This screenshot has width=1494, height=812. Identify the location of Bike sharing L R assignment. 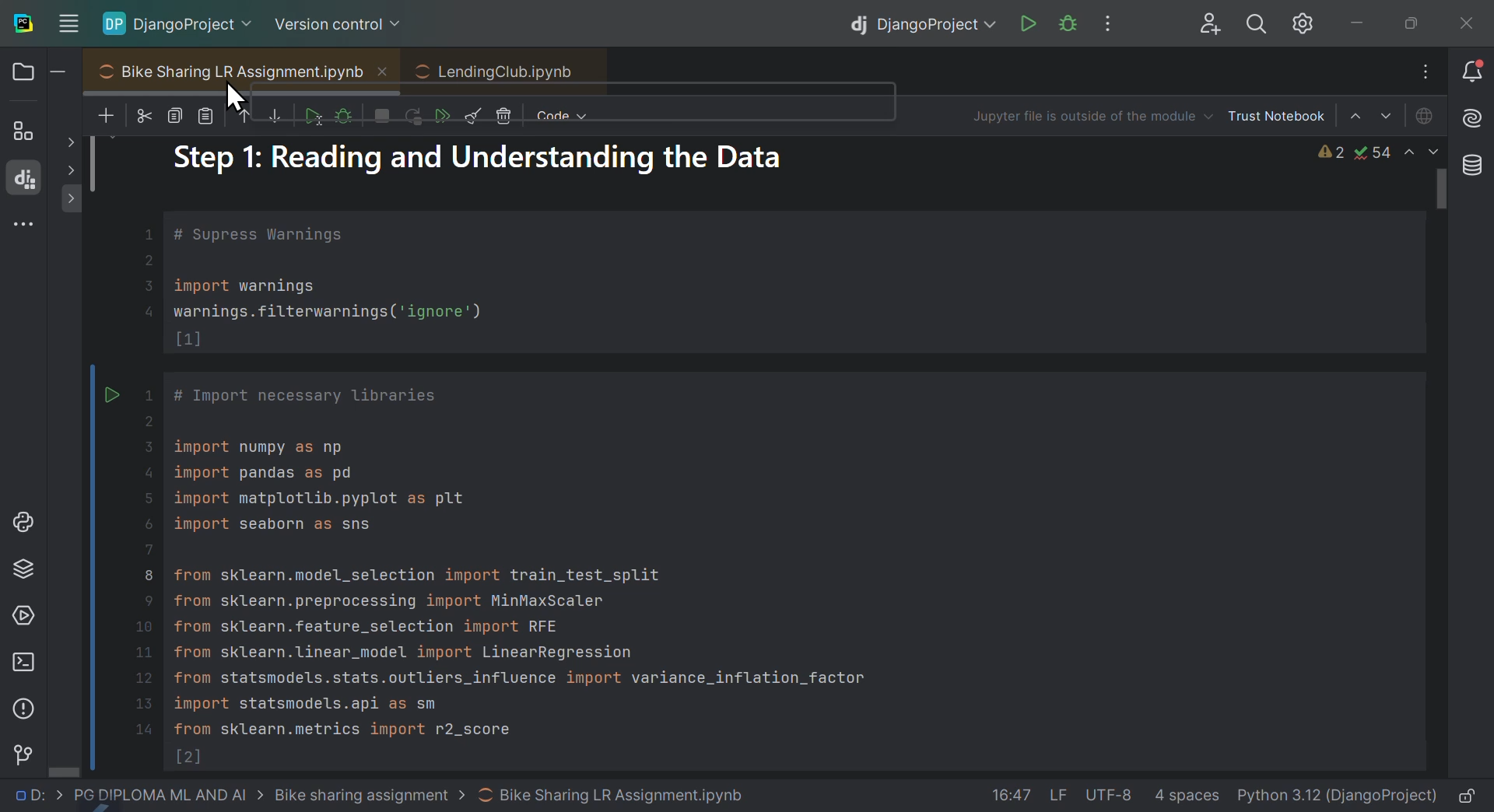
(247, 70).